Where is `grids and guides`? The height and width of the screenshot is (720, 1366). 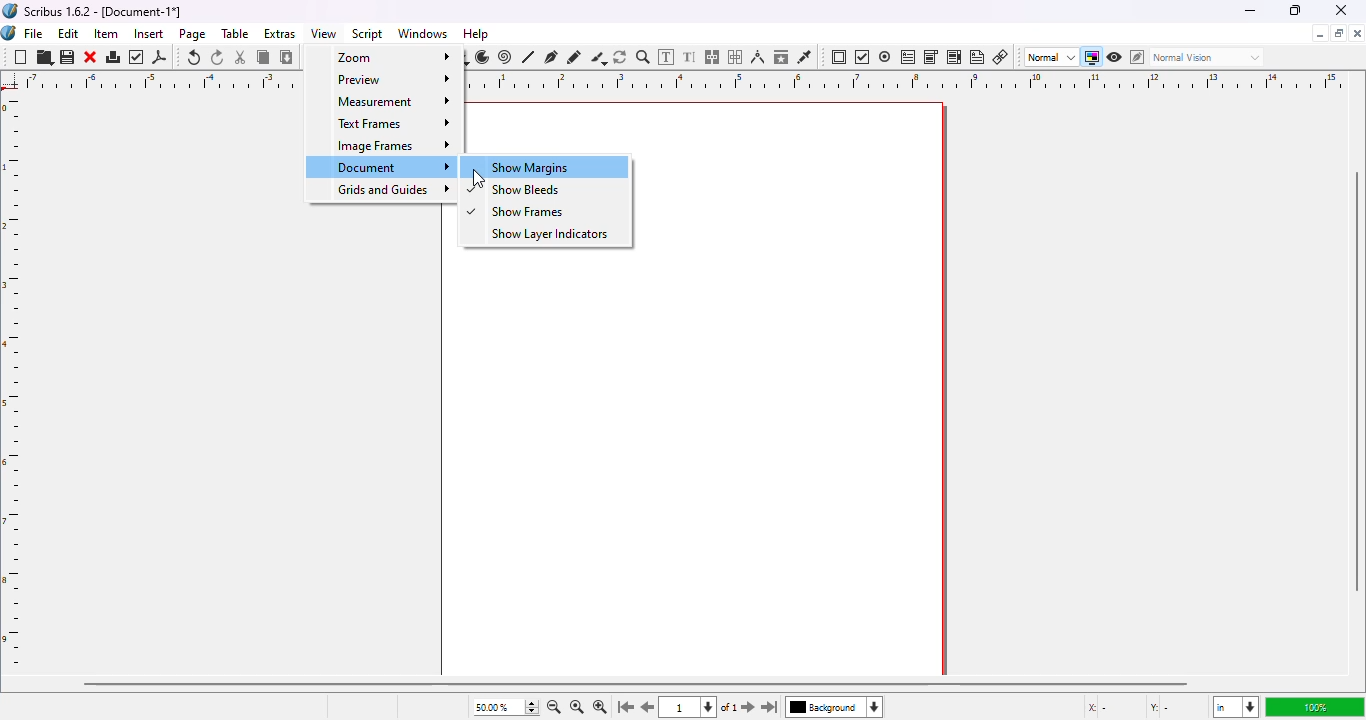
grids and guides is located at coordinates (384, 191).